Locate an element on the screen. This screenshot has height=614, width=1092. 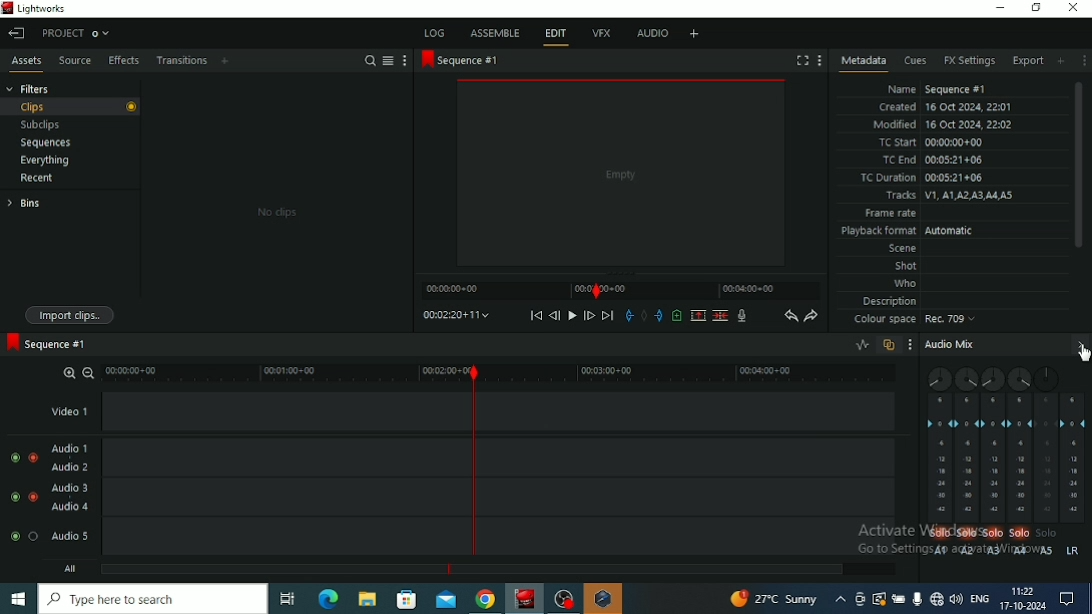
Adjust is located at coordinates (965, 379).